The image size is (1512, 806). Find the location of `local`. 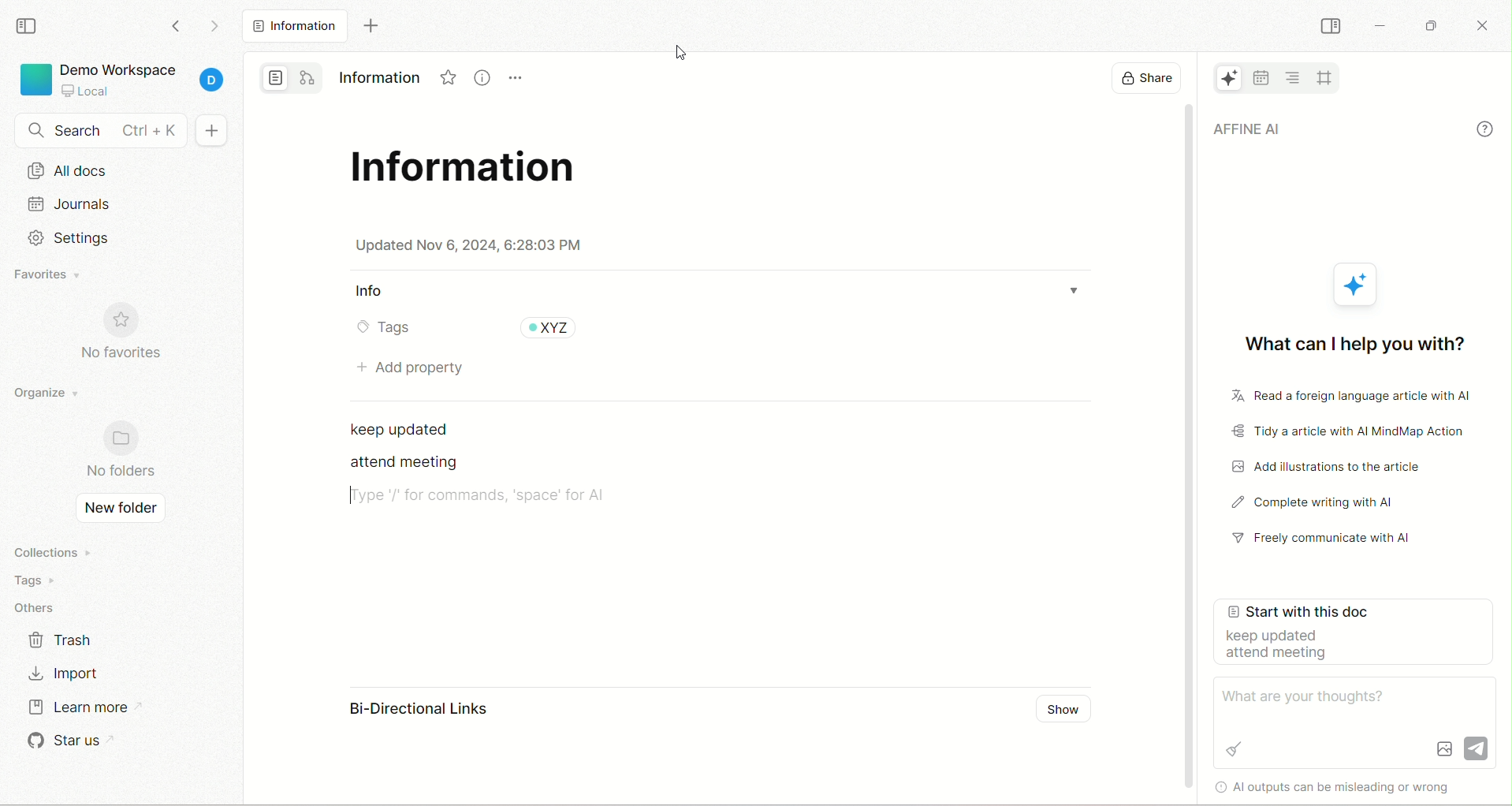

local is located at coordinates (84, 91).